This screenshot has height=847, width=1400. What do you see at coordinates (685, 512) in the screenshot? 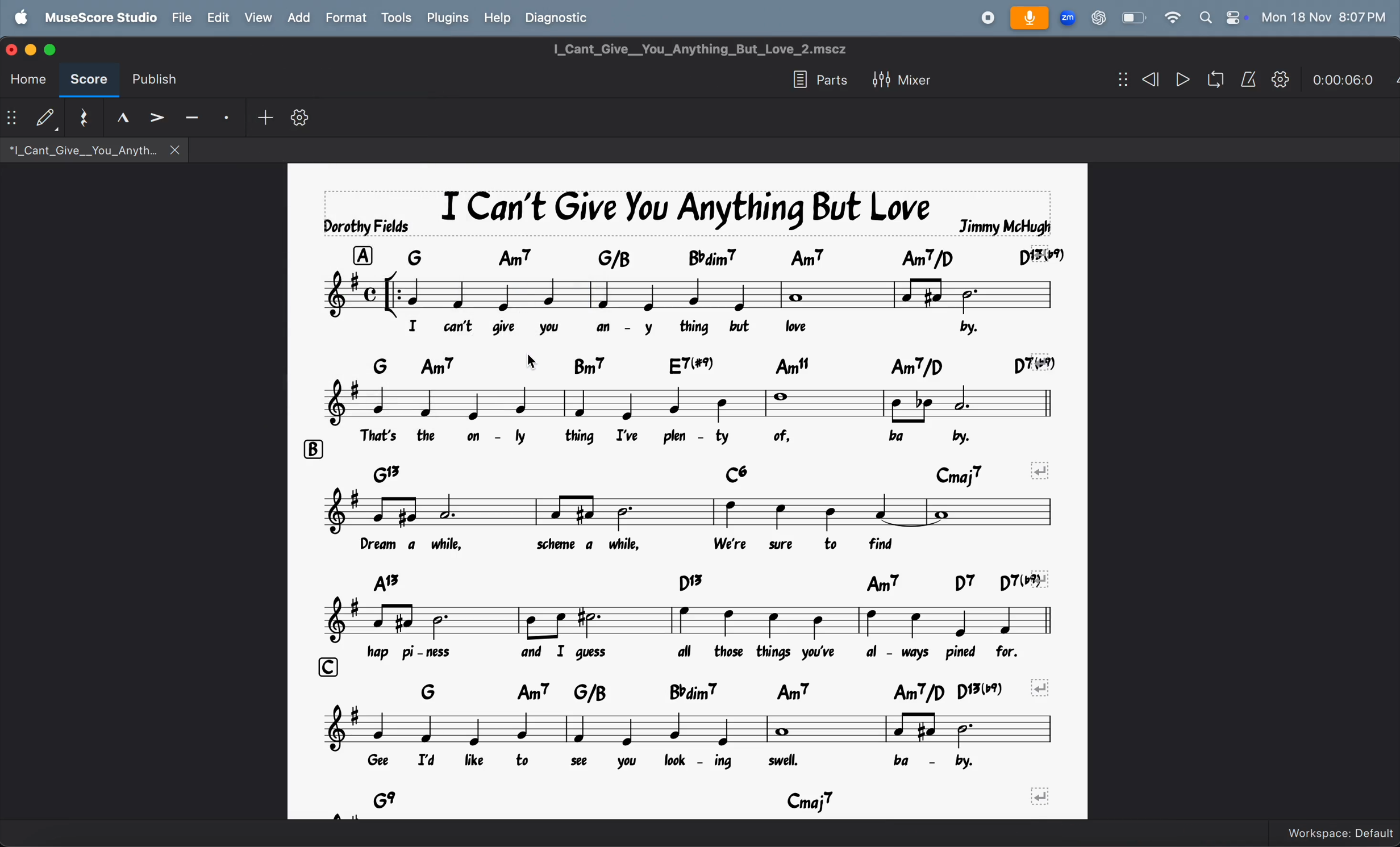
I see `notes` at bounding box center [685, 512].